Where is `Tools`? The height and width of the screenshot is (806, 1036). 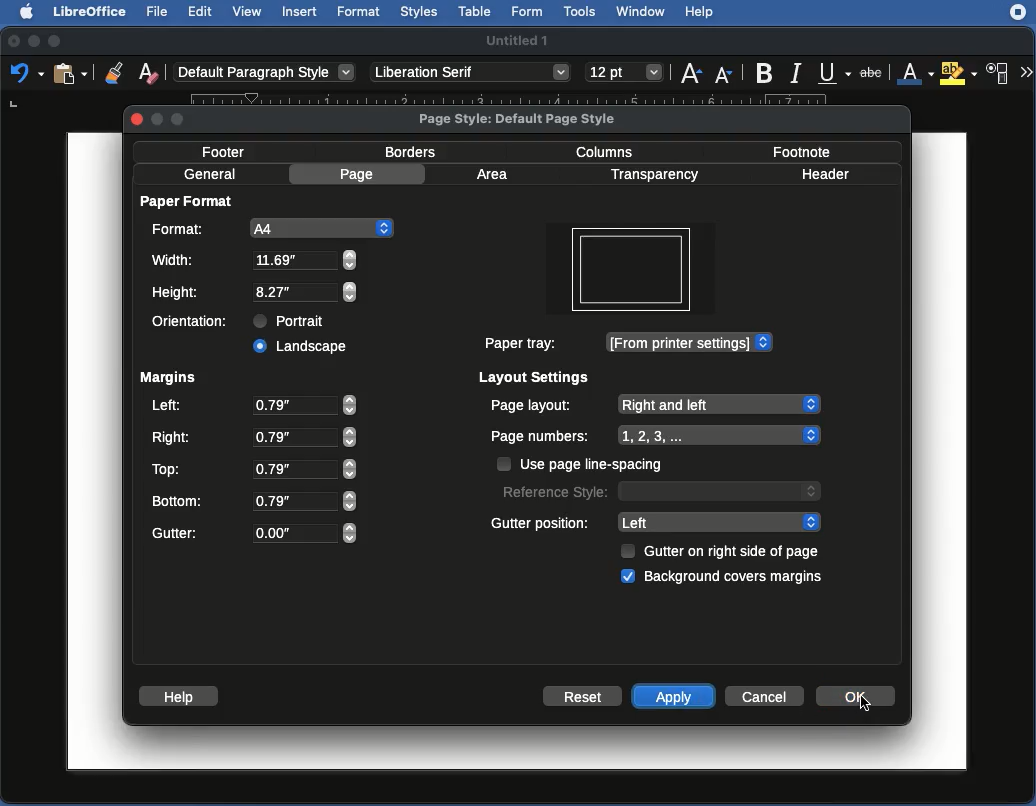 Tools is located at coordinates (582, 11).